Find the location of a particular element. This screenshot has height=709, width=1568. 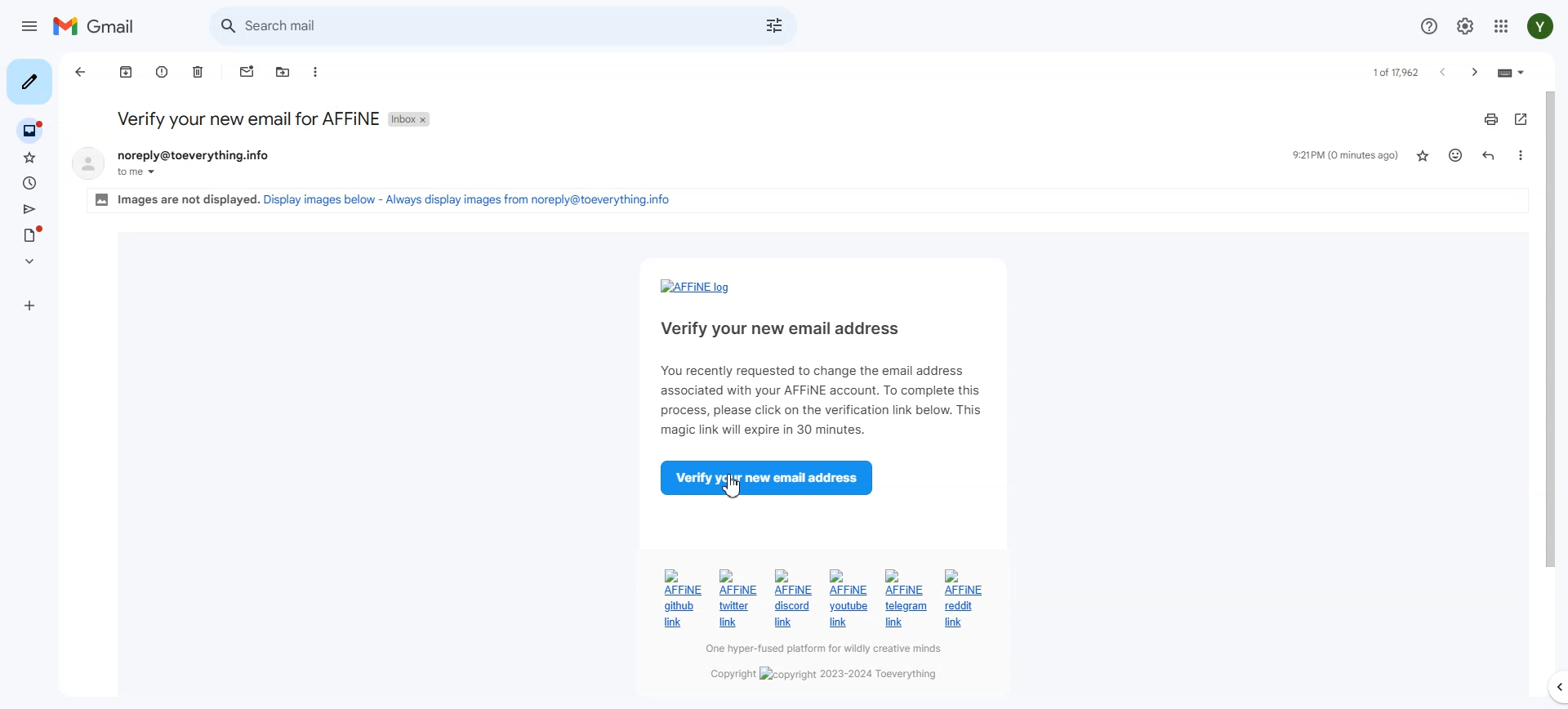

hyper-based solution is located at coordinates (821, 649).